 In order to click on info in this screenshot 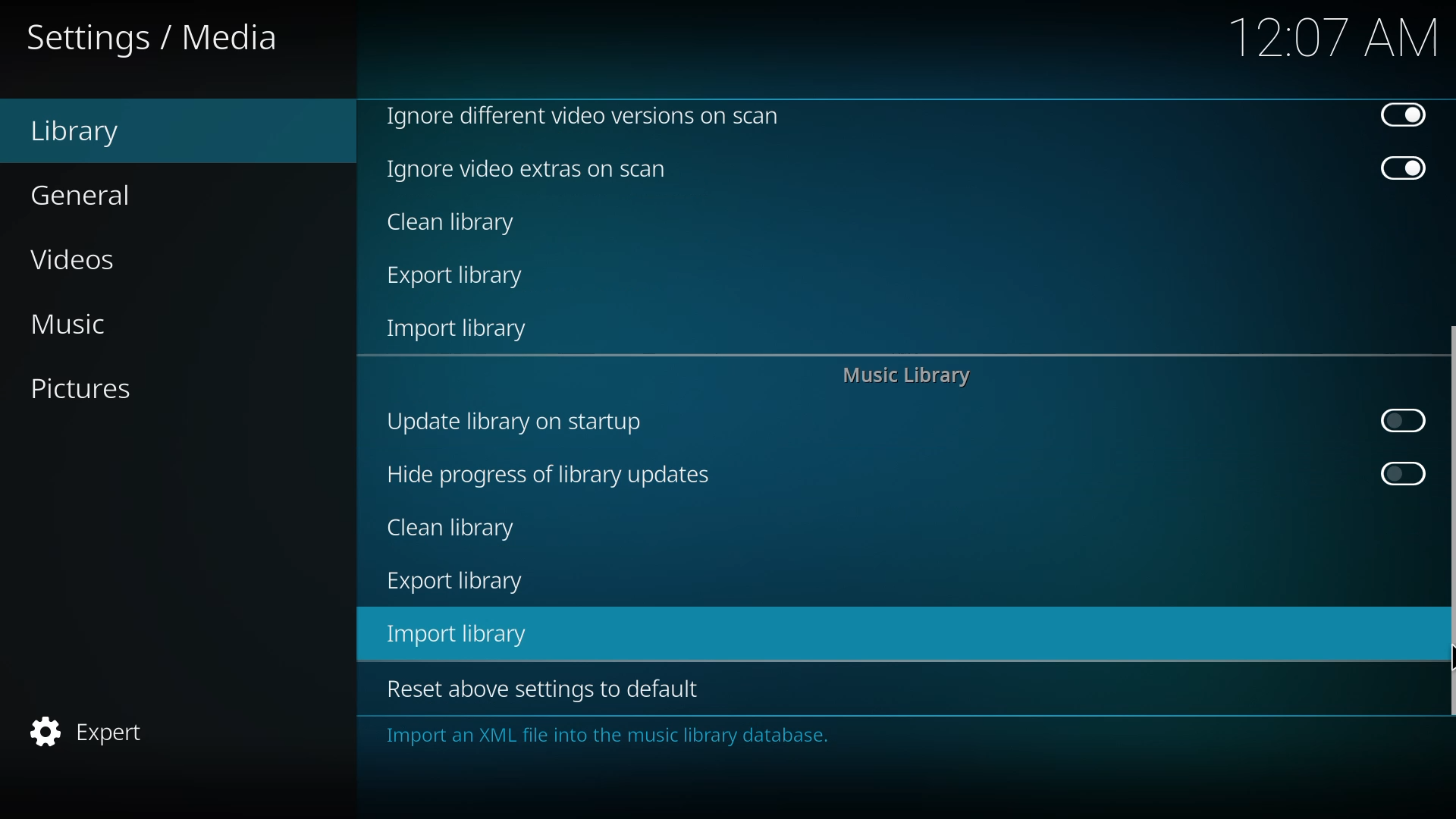, I will do `click(606, 736)`.